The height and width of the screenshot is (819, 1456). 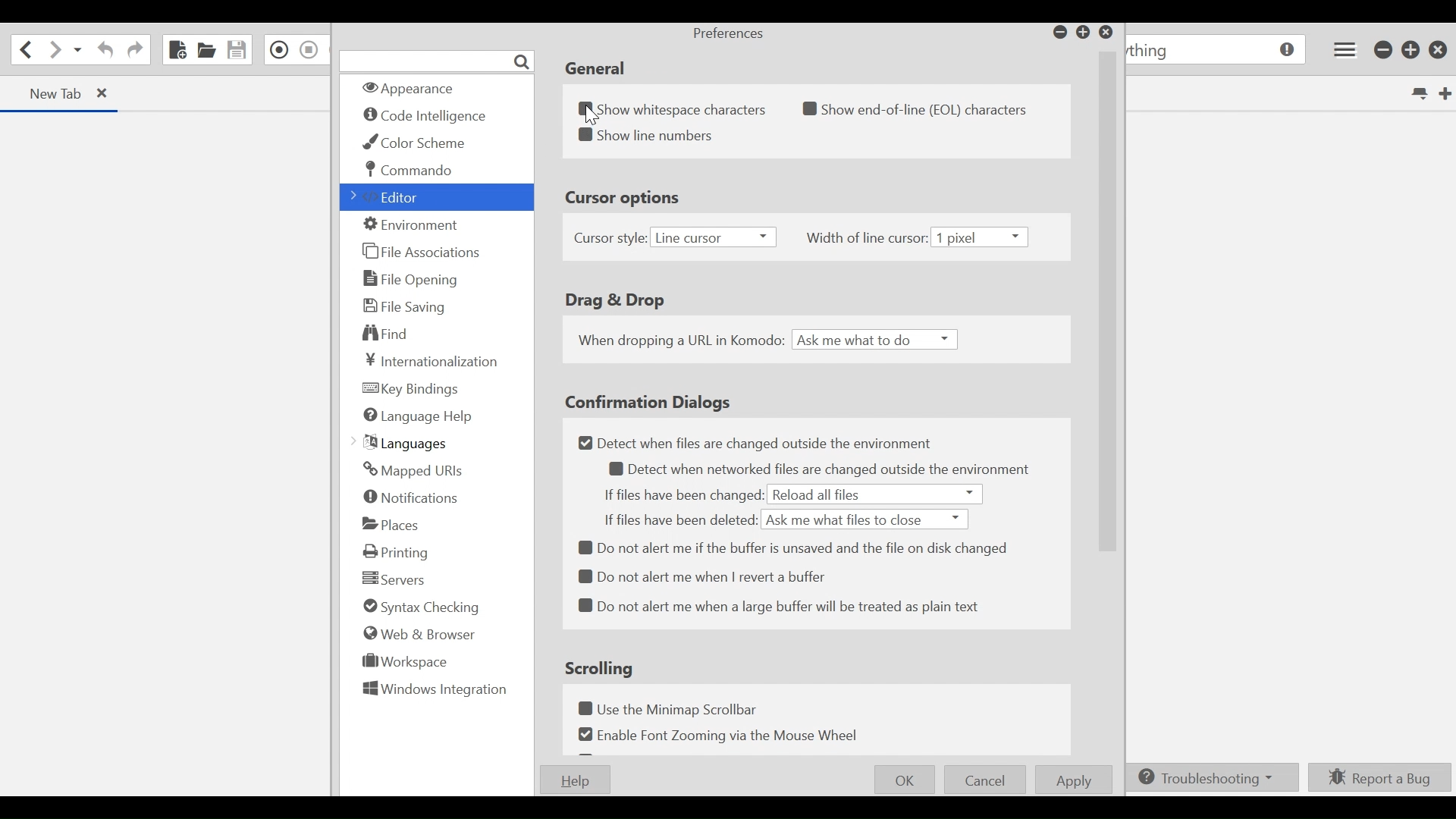 What do you see at coordinates (678, 708) in the screenshot?
I see ` Use the Minimap Scrollbar` at bounding box center [678, 708].